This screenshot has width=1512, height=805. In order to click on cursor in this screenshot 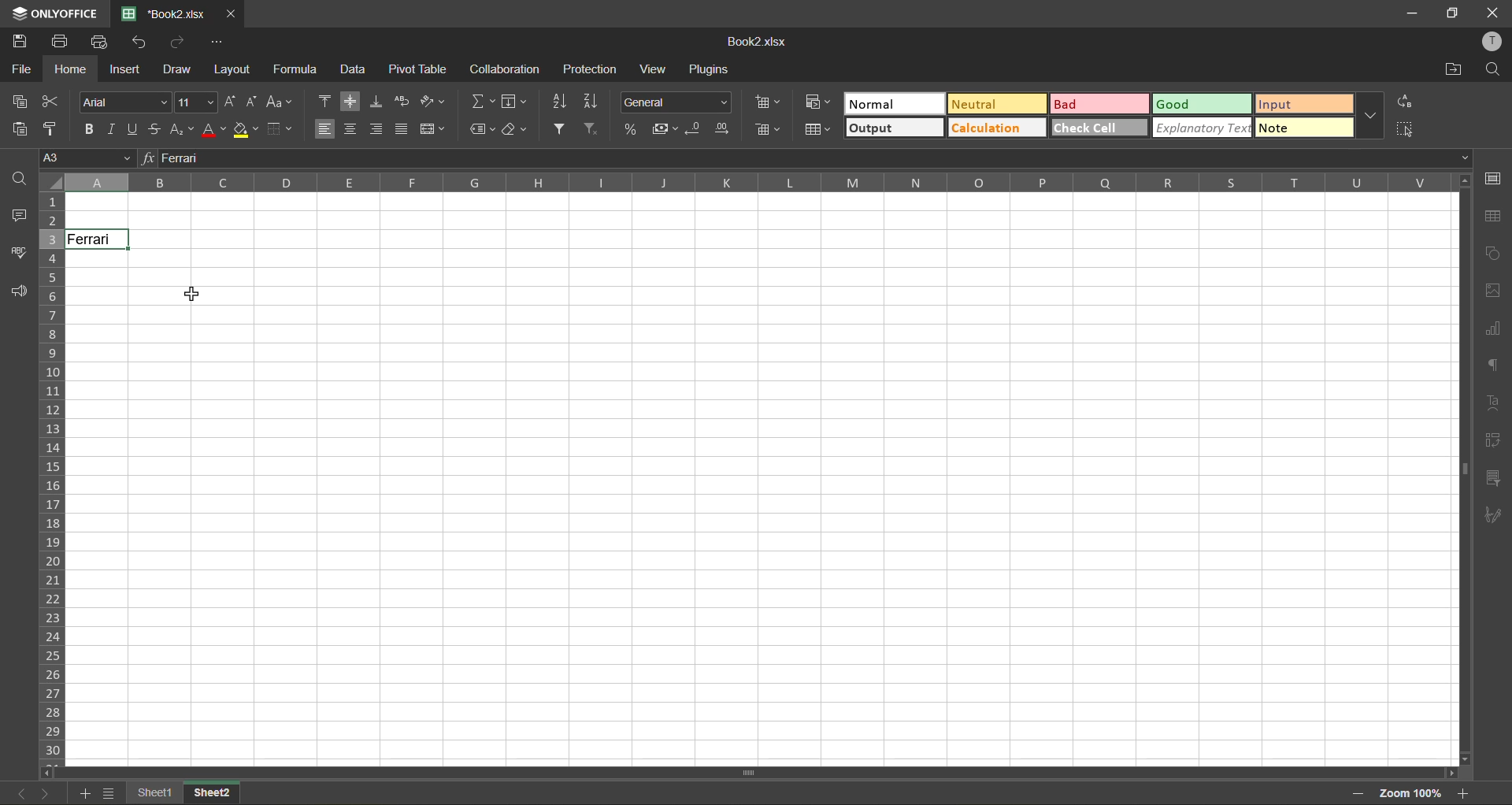, I will do `click(195, 292)`.